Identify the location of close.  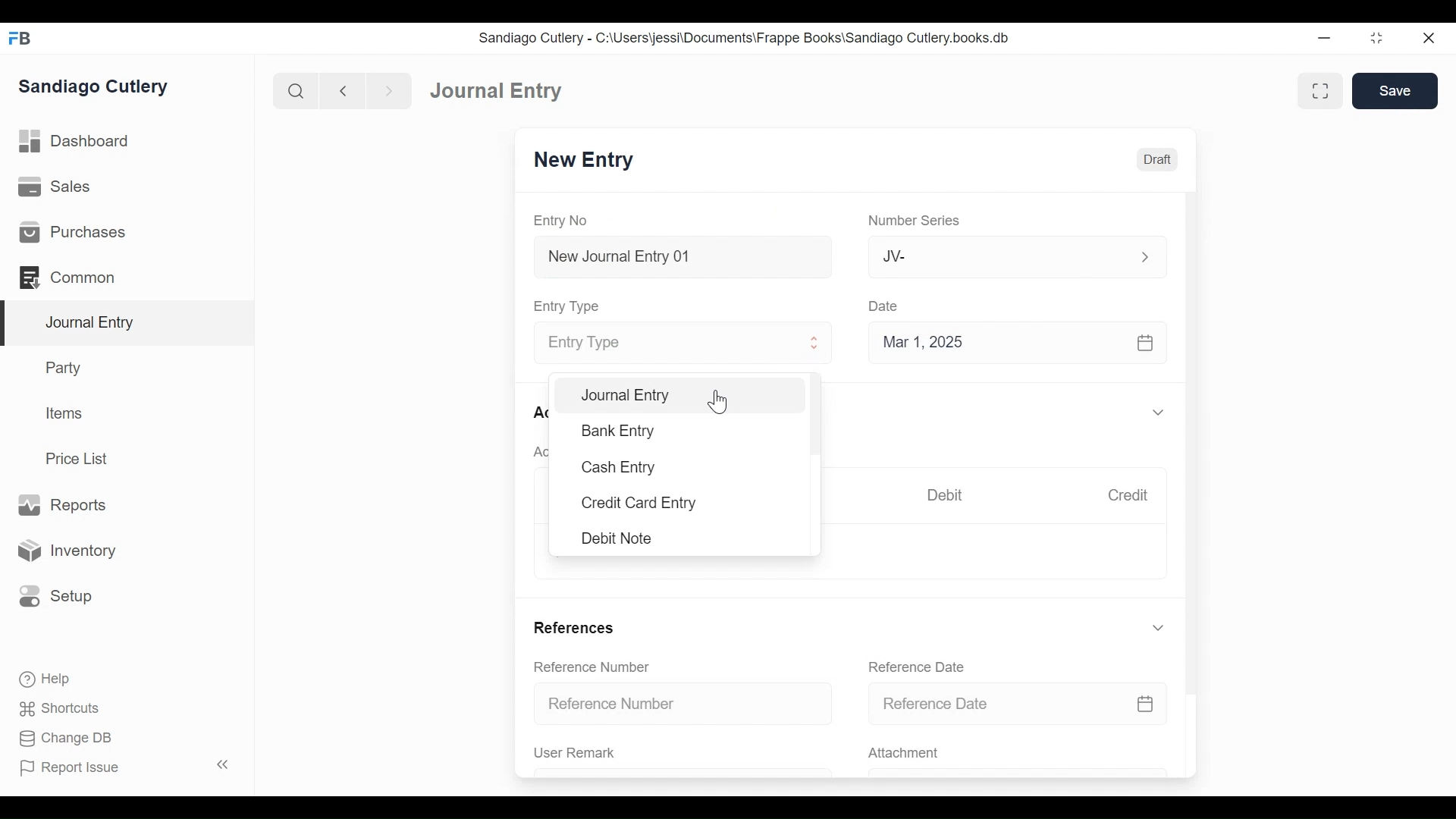
(1434, 36).